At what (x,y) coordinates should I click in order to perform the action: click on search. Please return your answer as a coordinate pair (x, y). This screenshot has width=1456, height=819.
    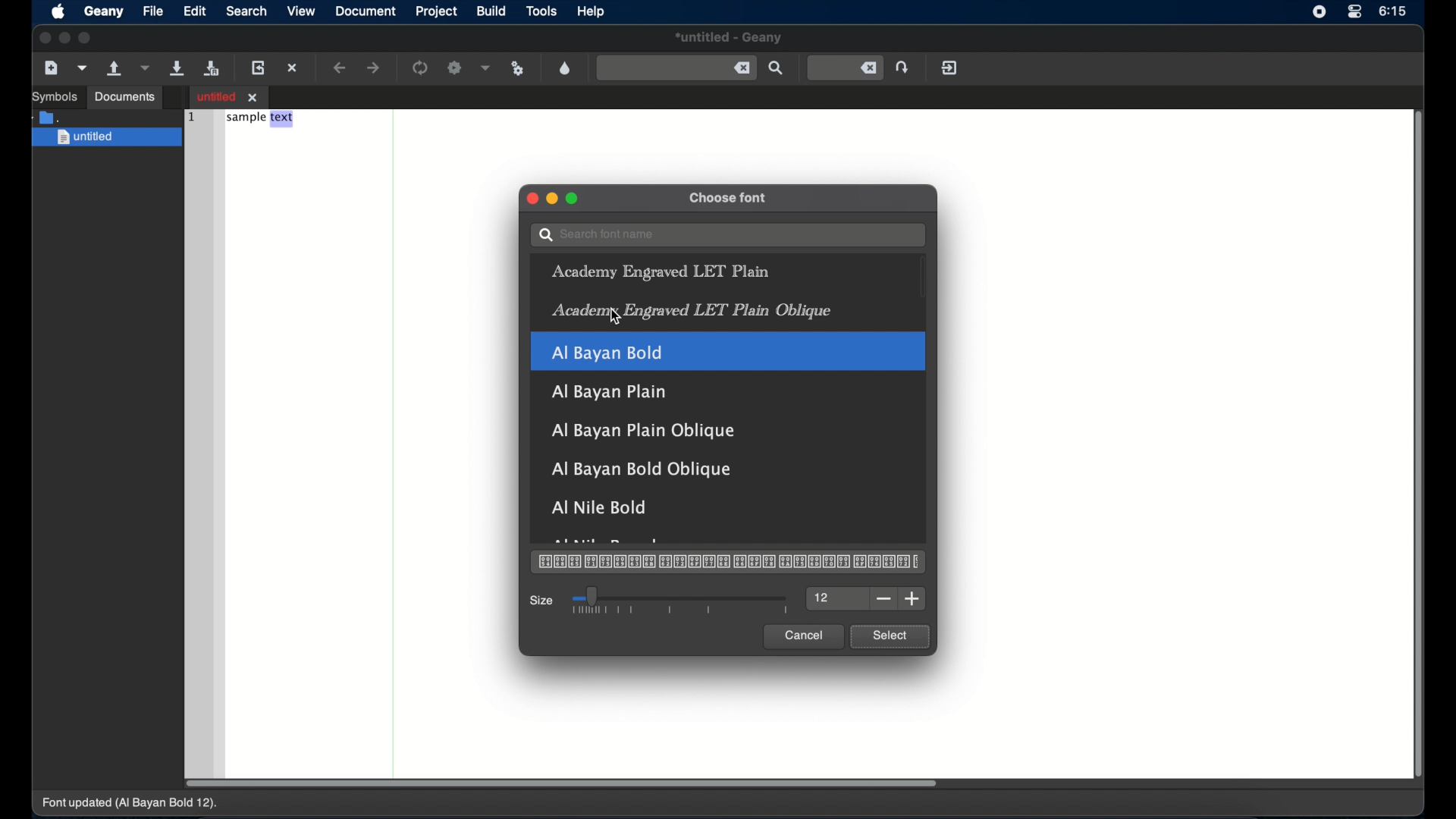
    Looking at the image, I should click on (247, 11).